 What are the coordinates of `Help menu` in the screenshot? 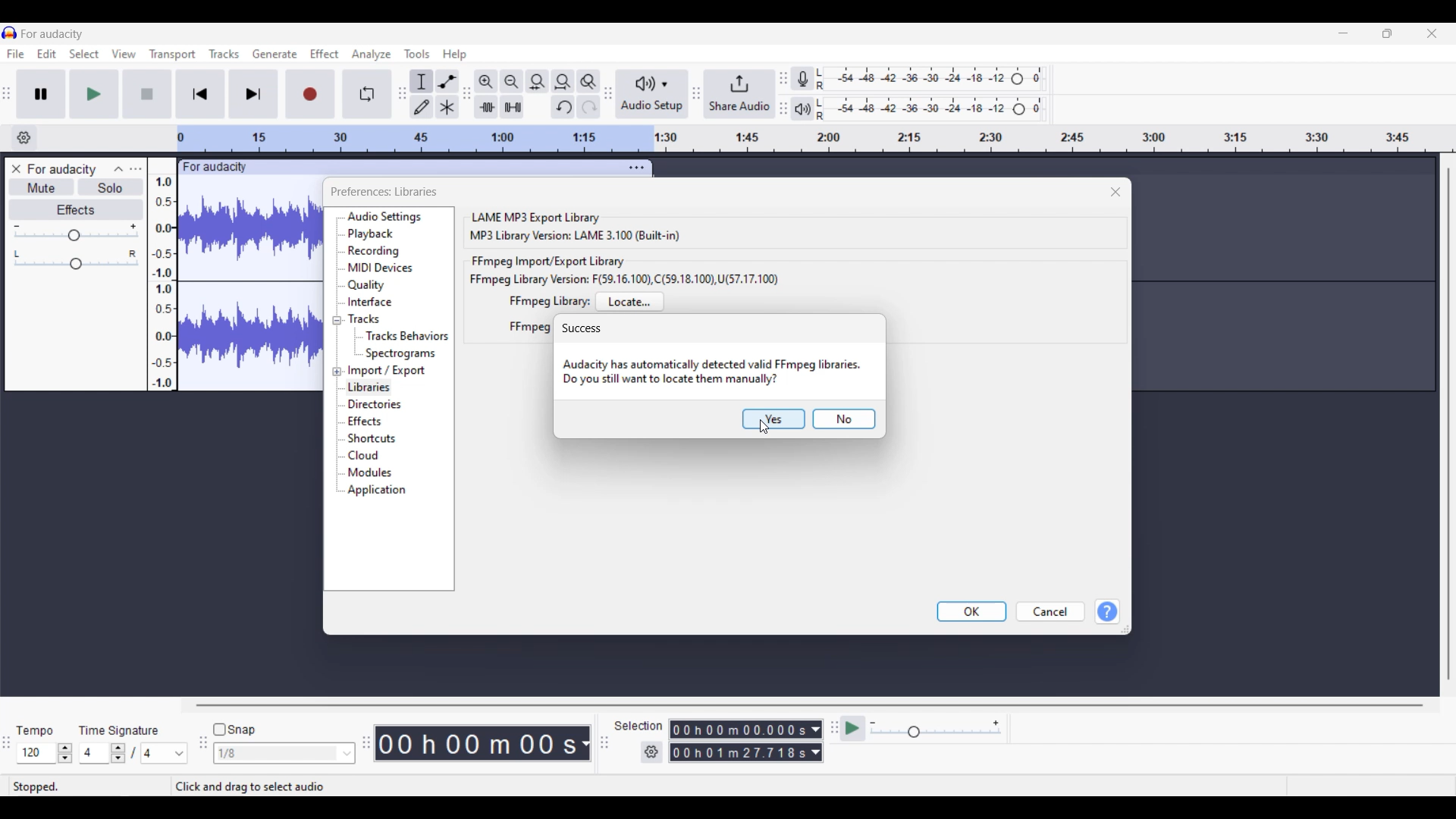 It's located at (455, 55).